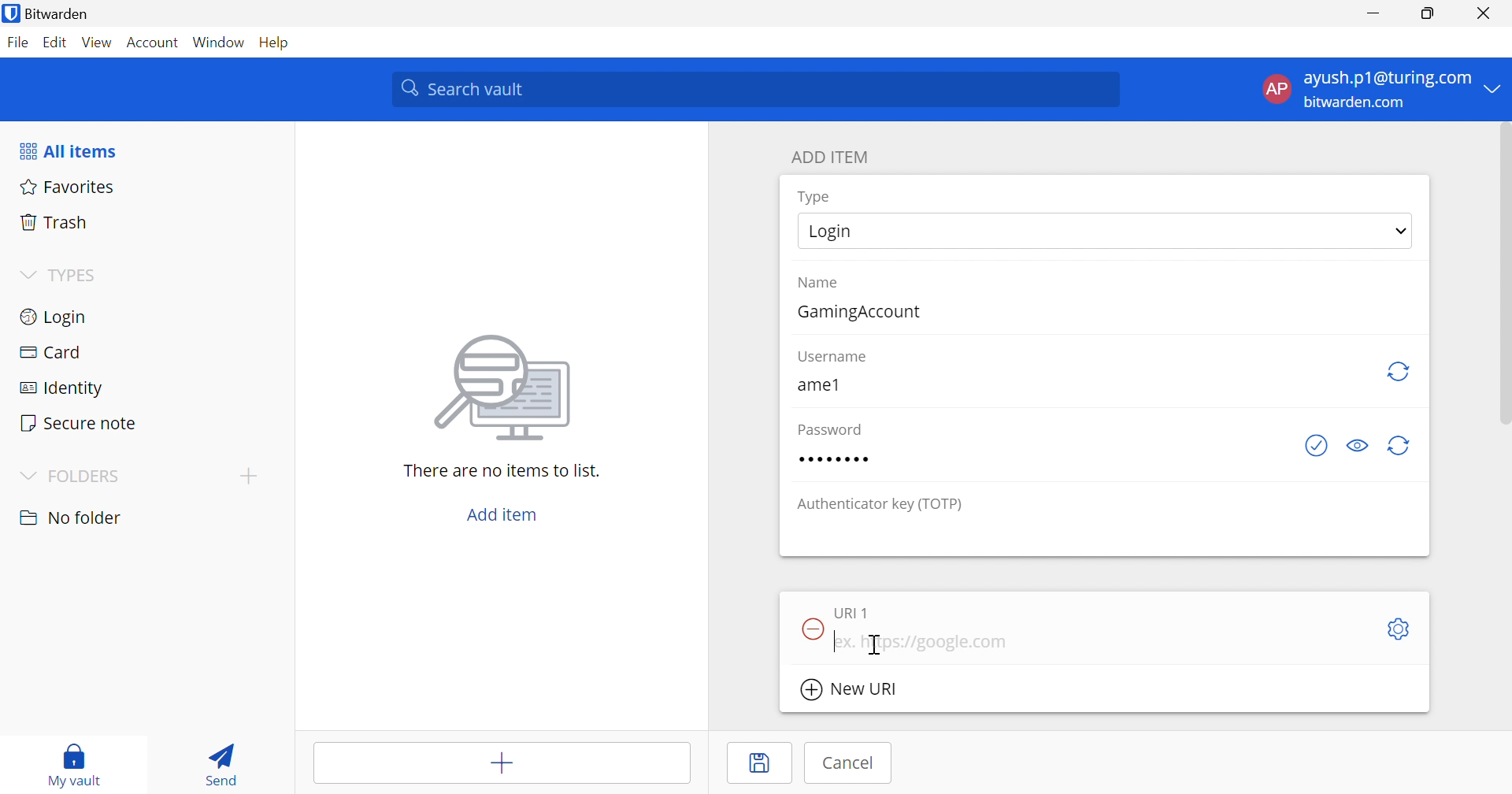 The width and height of the screenshot is (1512, 794). Describe the element at coordinates (858, 612) in the screenshot. I see `URI 1` at that location.